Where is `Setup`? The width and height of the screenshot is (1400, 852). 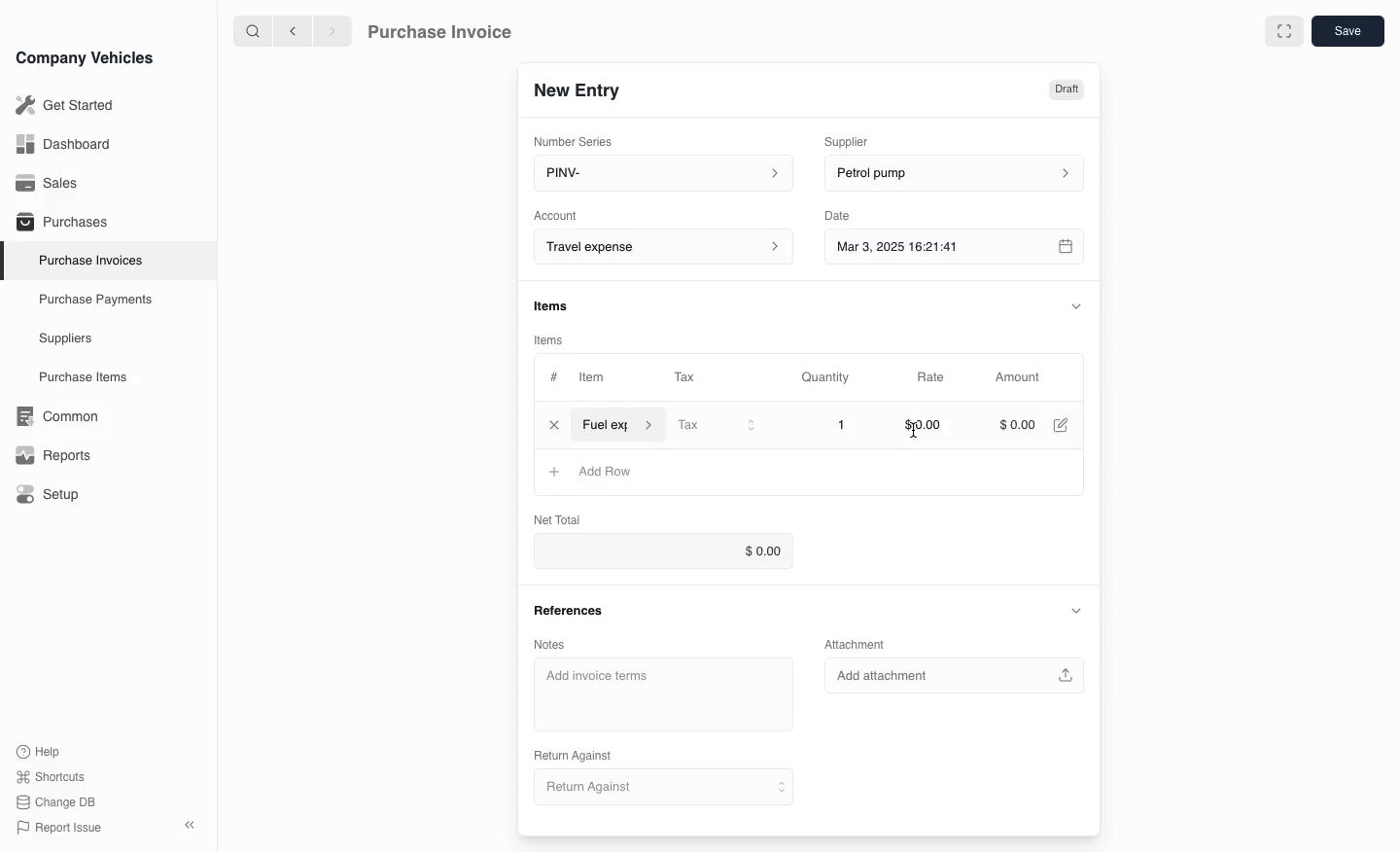 Setup is located at coordinates (52, 495).